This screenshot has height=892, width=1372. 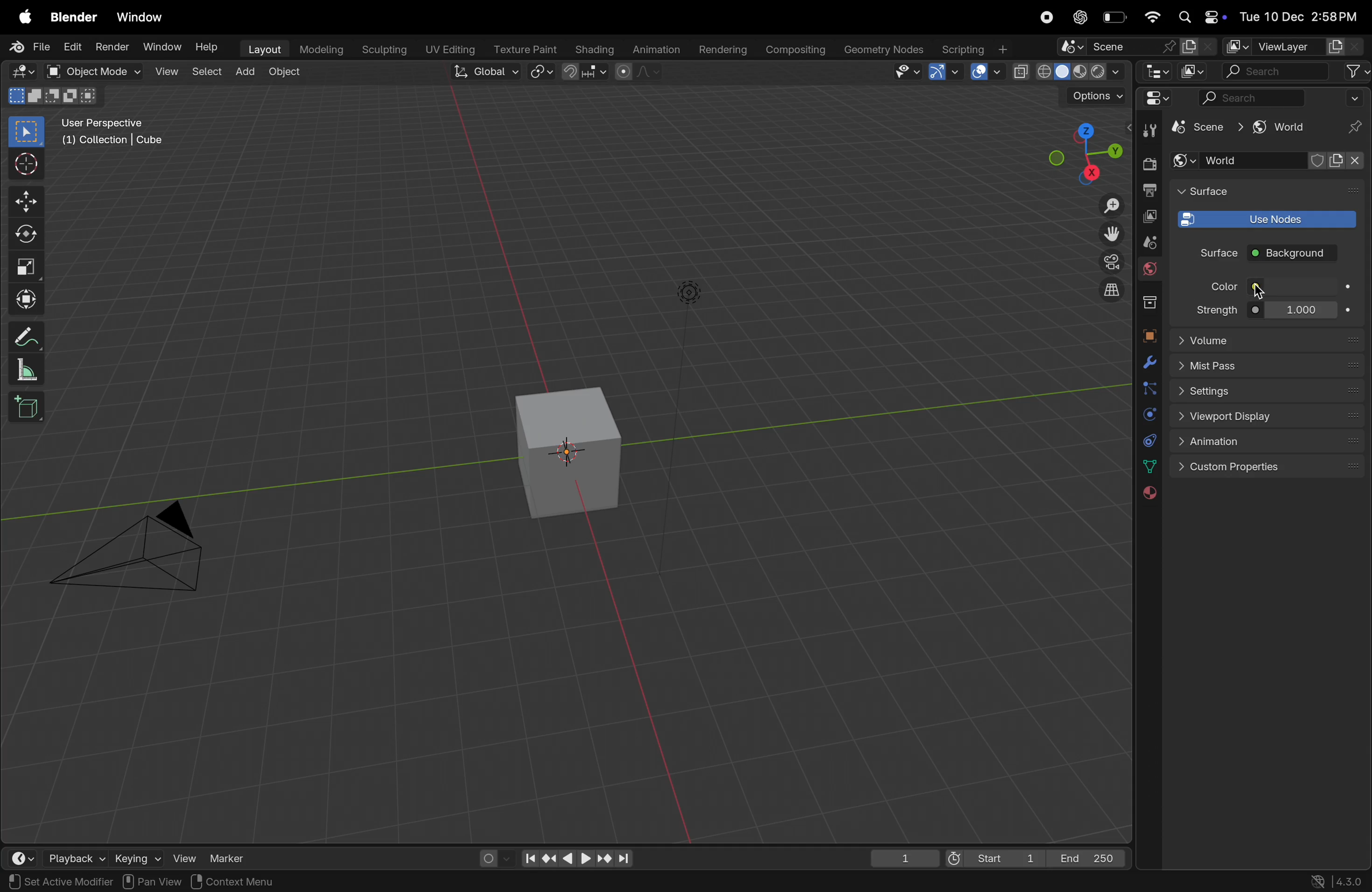 What do you see at coordinates (28, 266) in the screenshot?
I see `scale` at bounding box center [28, 266].